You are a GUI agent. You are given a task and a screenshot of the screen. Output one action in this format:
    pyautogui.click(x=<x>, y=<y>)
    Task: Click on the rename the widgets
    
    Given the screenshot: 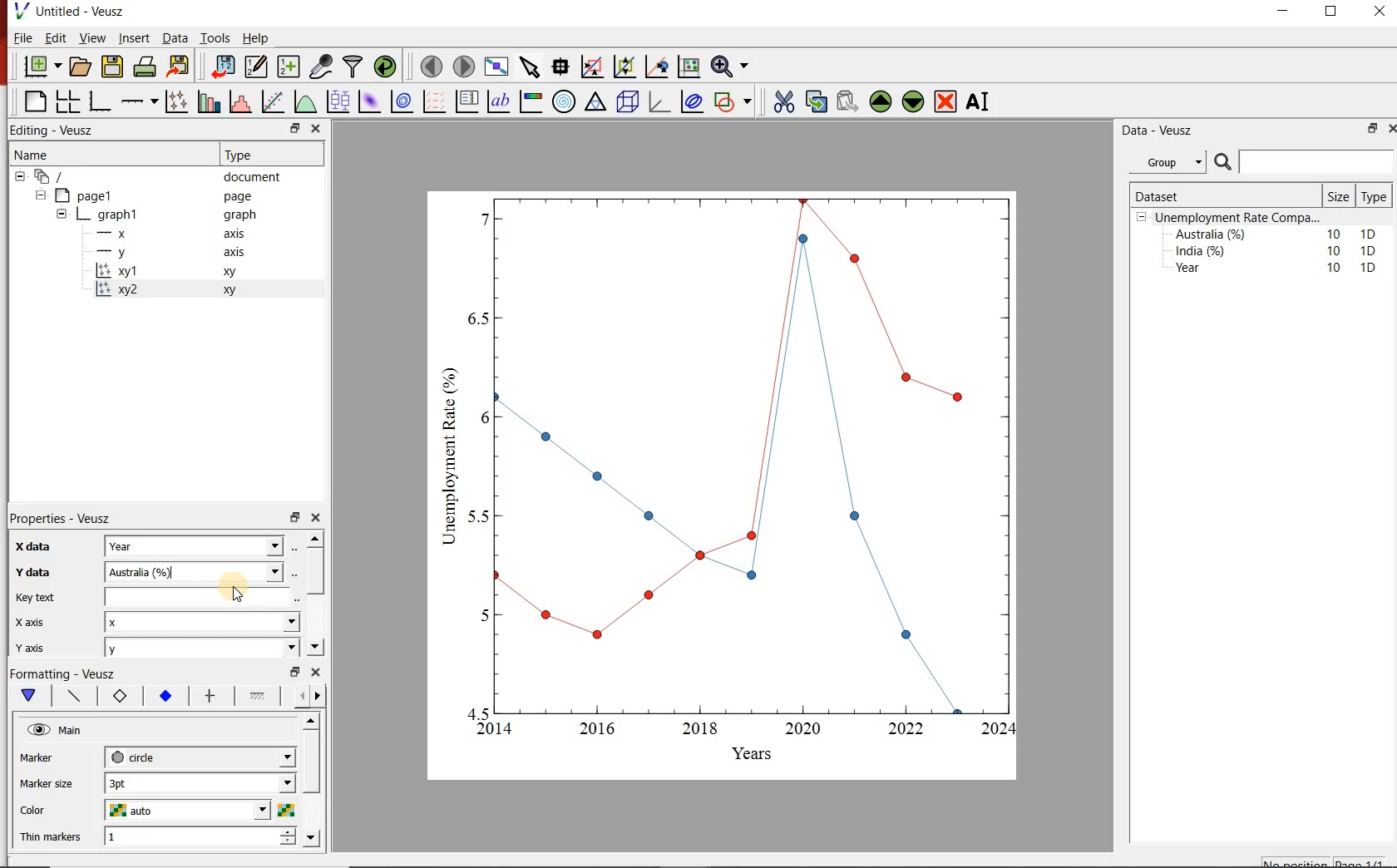 What is the action you would take?
    pyautogui.click(x=981, y=101)
    